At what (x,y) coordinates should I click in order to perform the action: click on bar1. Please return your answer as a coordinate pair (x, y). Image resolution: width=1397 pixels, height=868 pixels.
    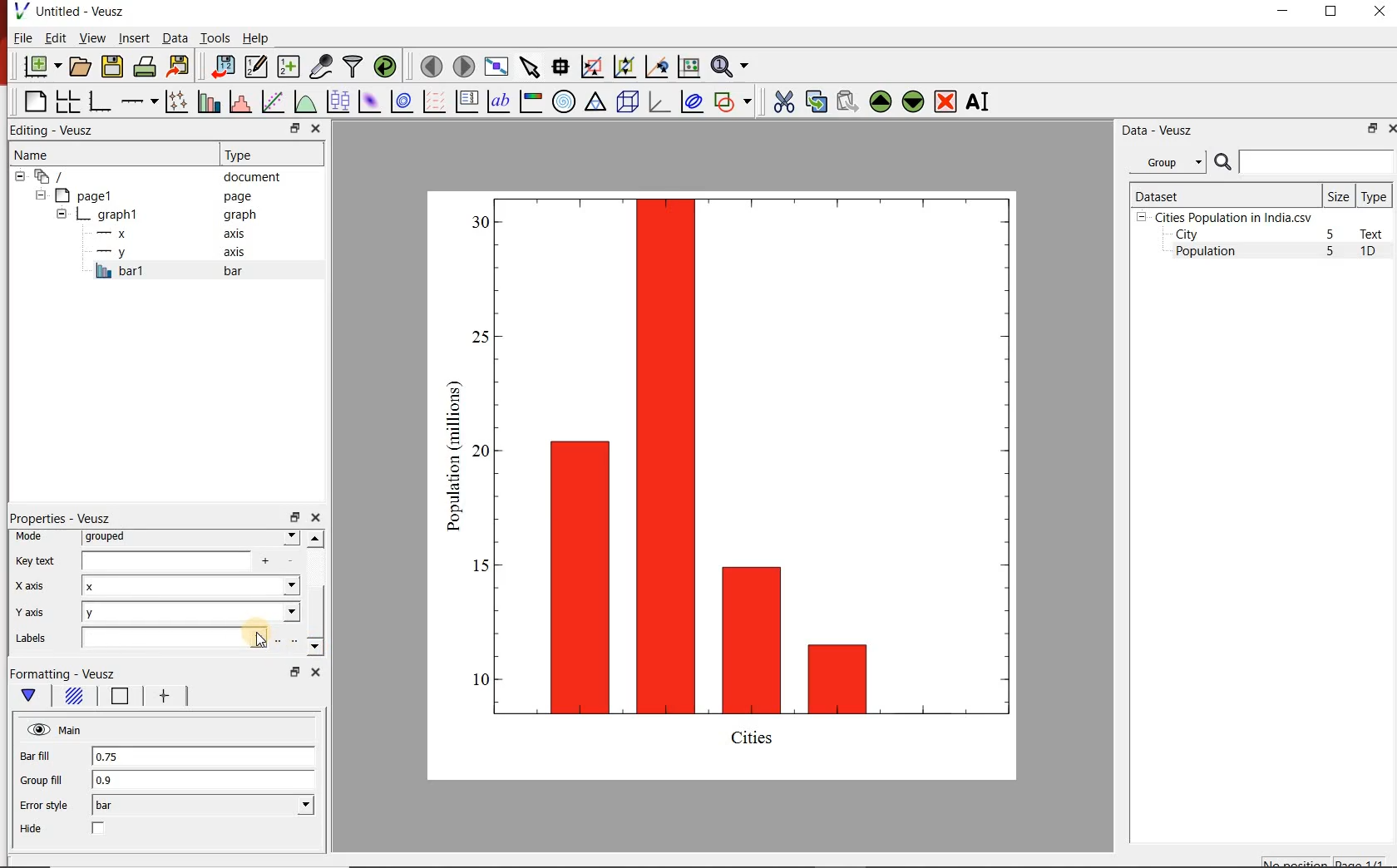
    Looking at the image, I should click on (186, 271).